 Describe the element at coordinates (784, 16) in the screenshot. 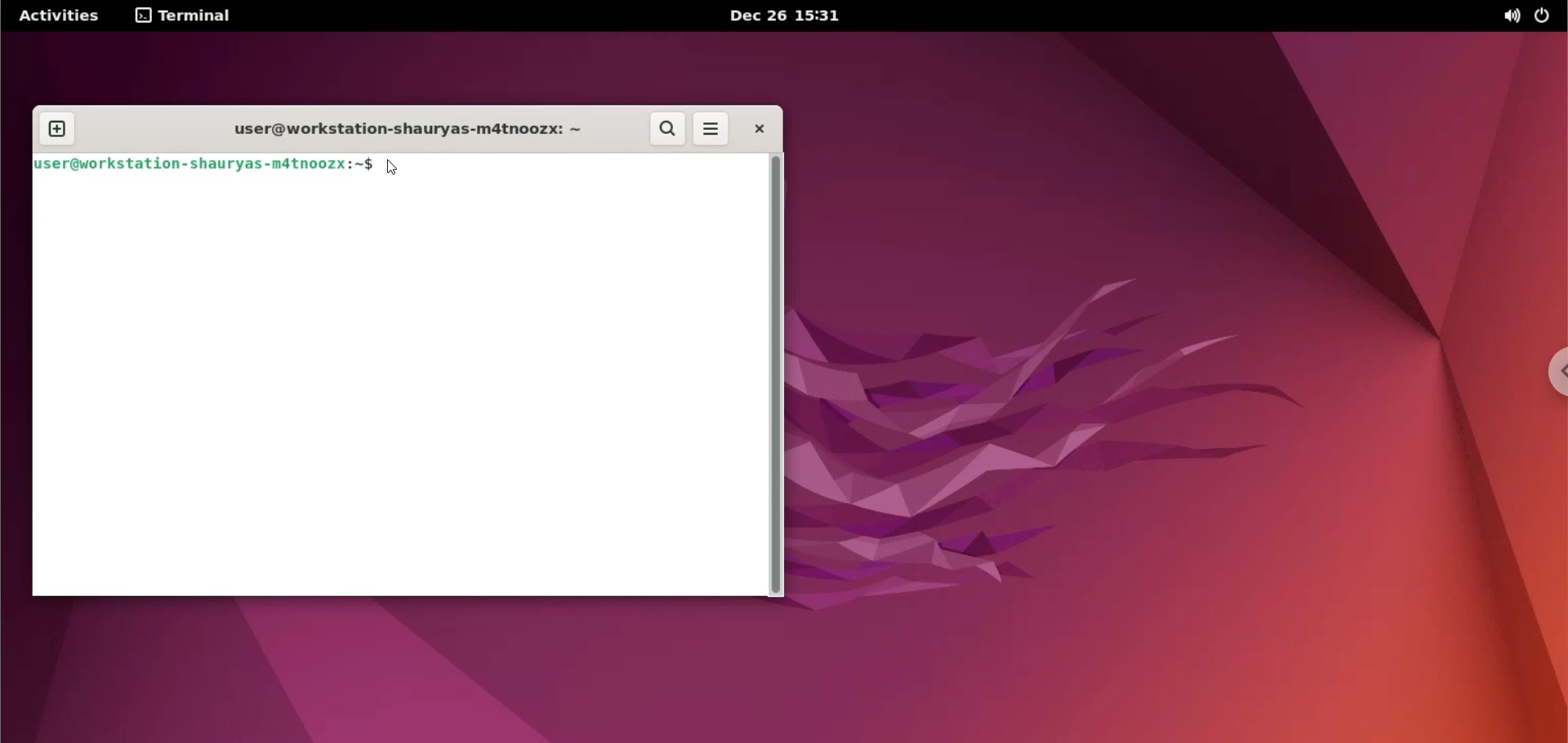

I see `Dec 26 15:31` at that location.